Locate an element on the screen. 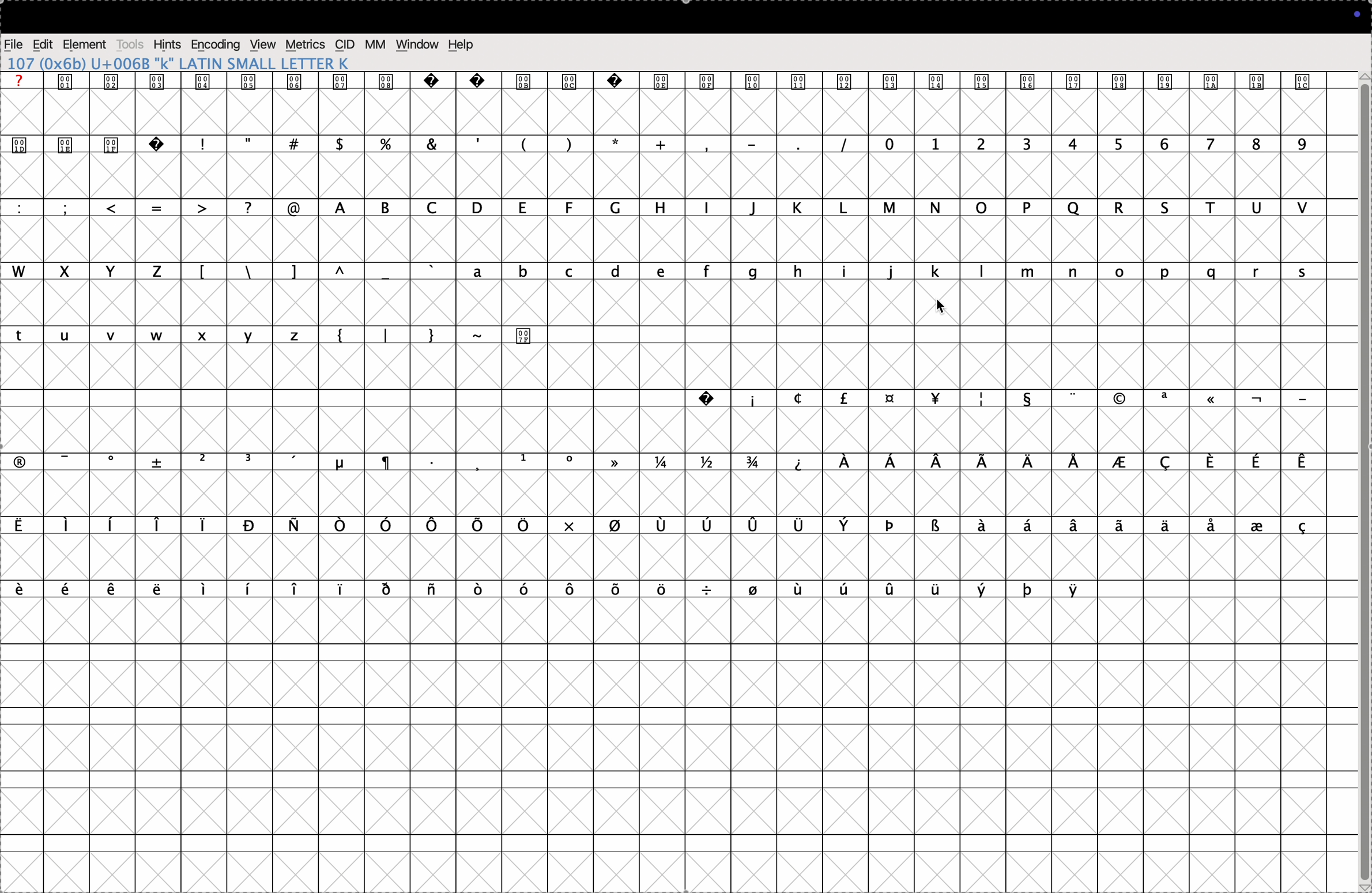 The width and height of the screenshot is (1372, 893). metrics is located at coordinates (306, 46).